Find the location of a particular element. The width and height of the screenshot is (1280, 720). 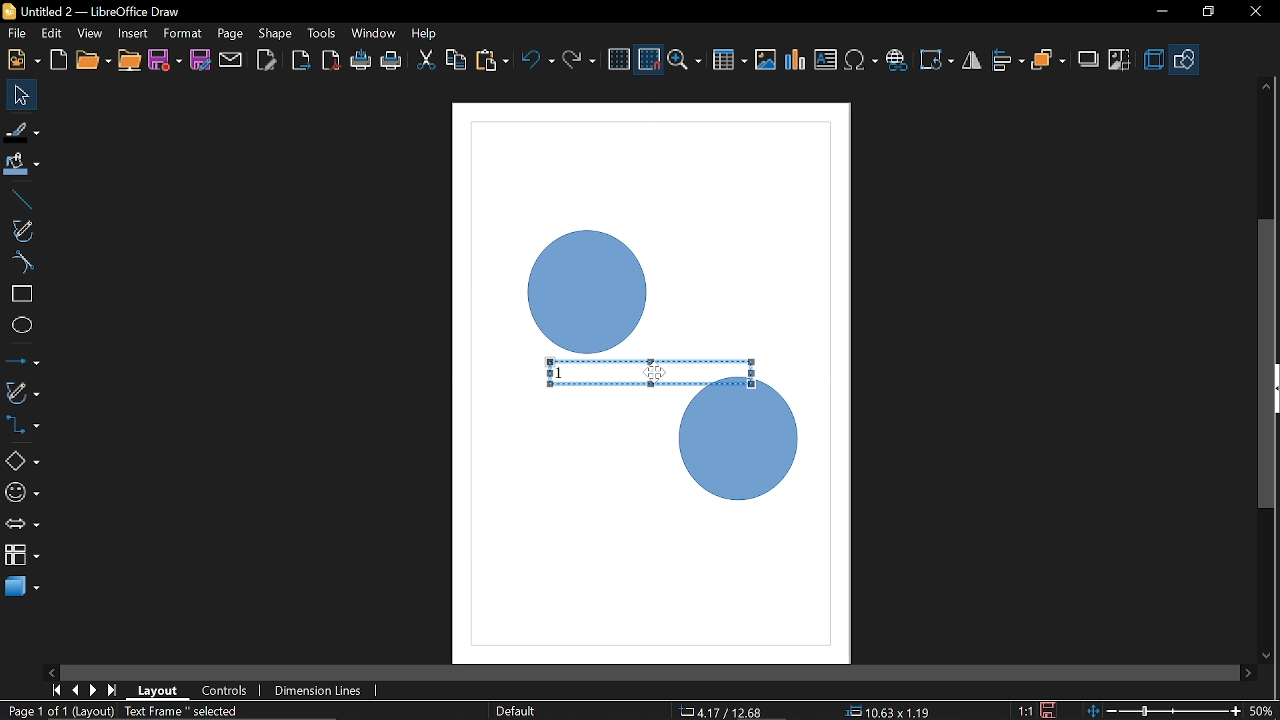

Cursor is located at coordinates (650, 373).